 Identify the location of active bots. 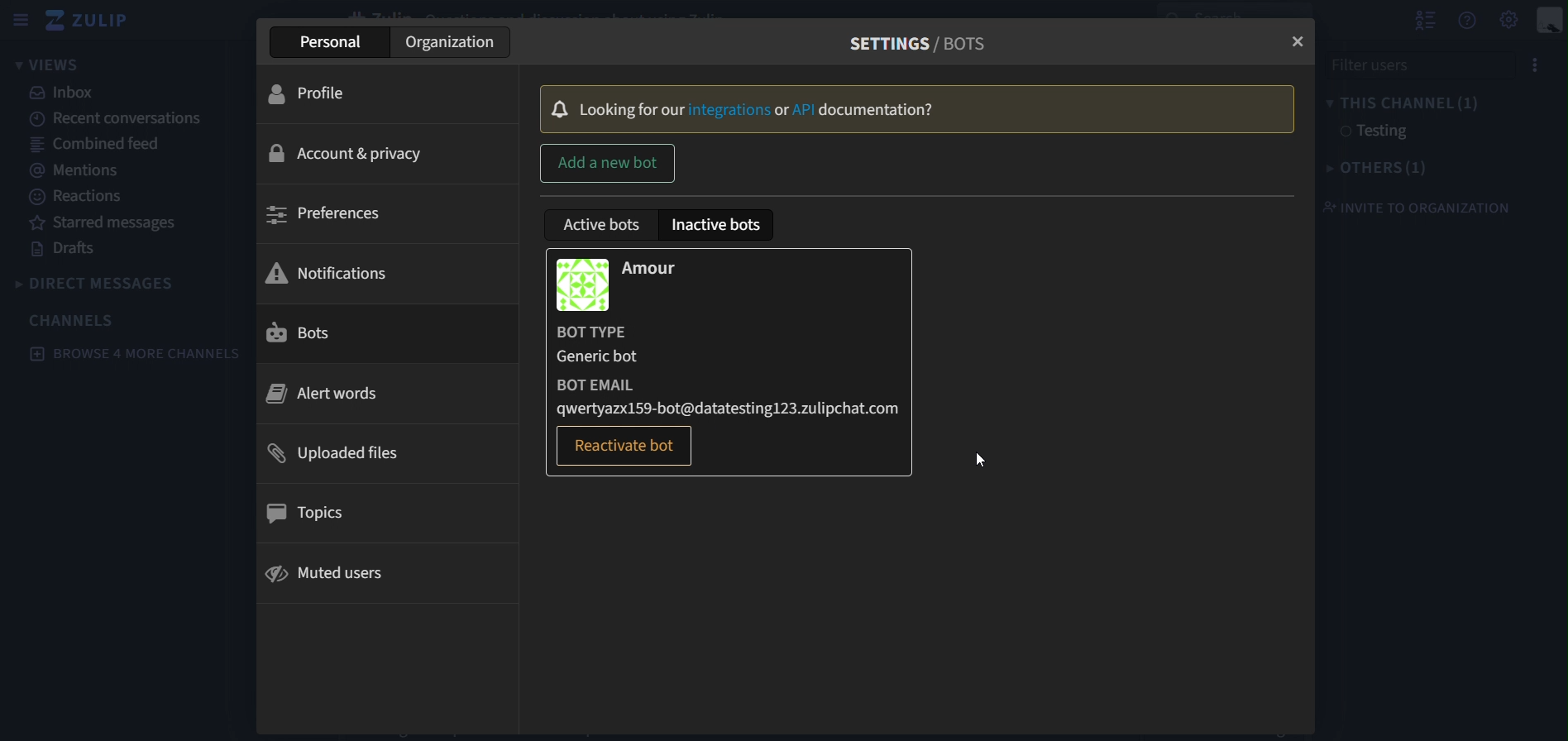
(605, 227).